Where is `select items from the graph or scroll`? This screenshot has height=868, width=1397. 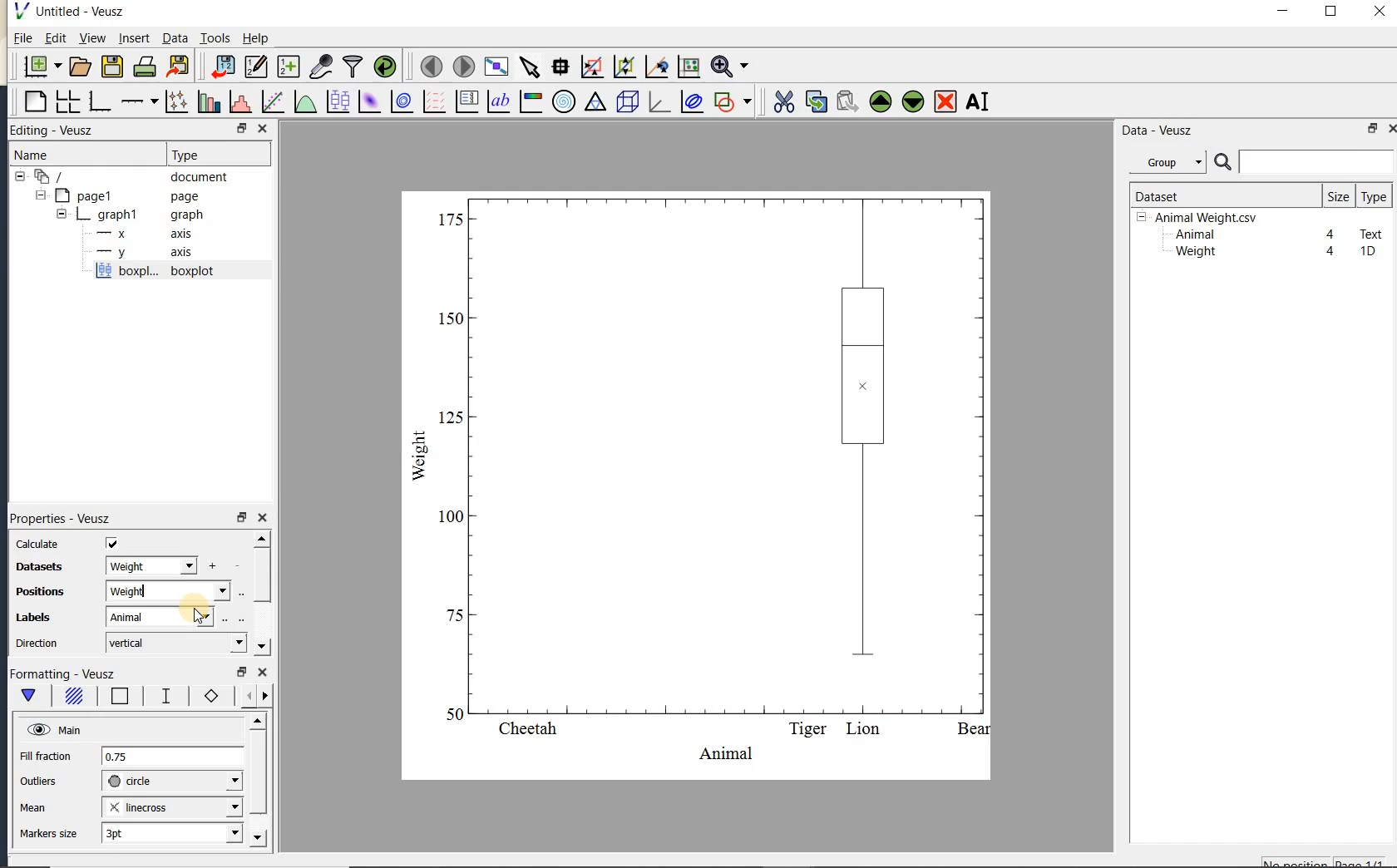
select items from the graph or scroll is located at coordinates (531, 67).